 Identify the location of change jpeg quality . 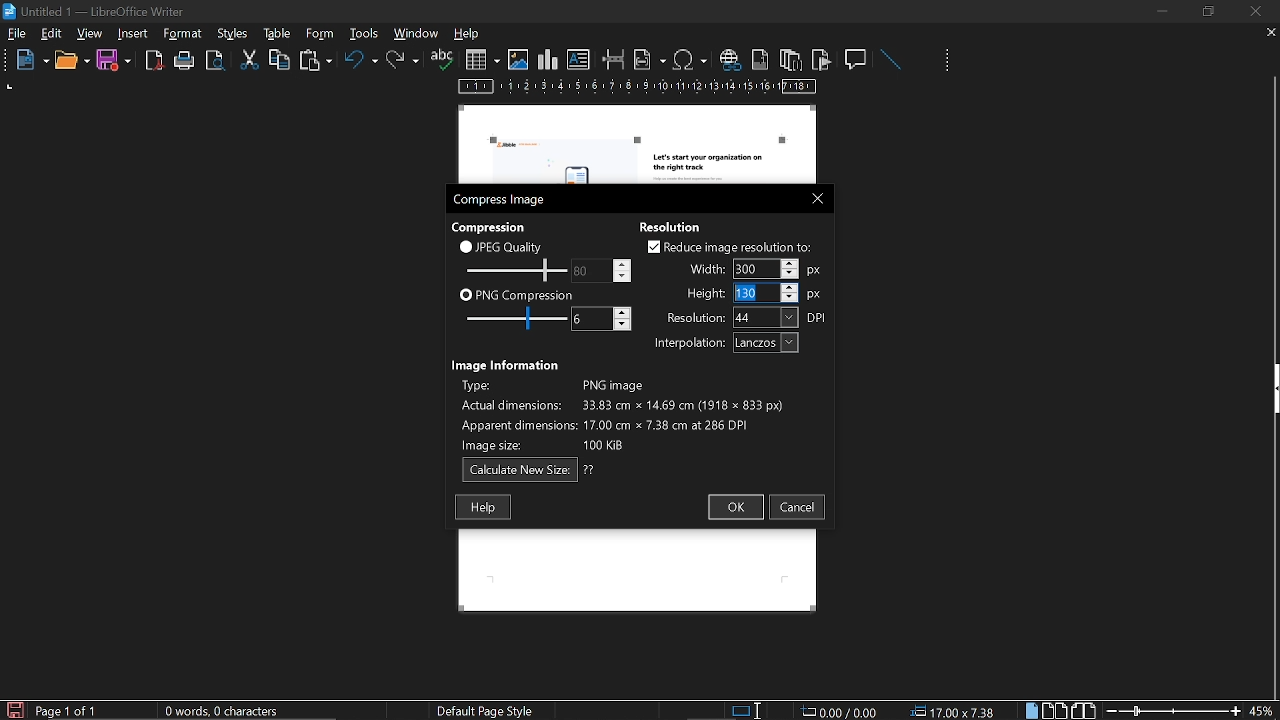
(602, 270).